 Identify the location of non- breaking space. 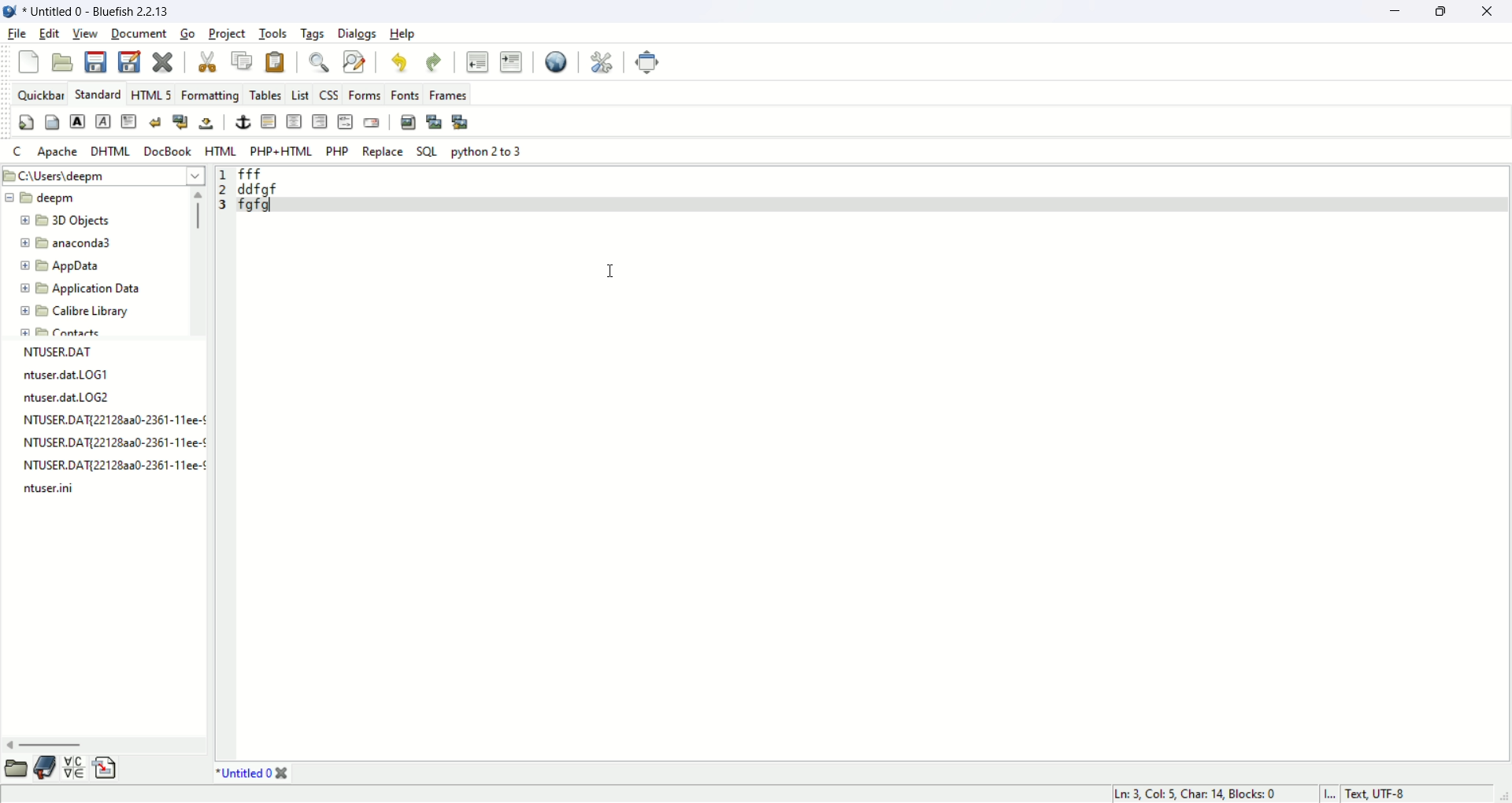
(207, 124).